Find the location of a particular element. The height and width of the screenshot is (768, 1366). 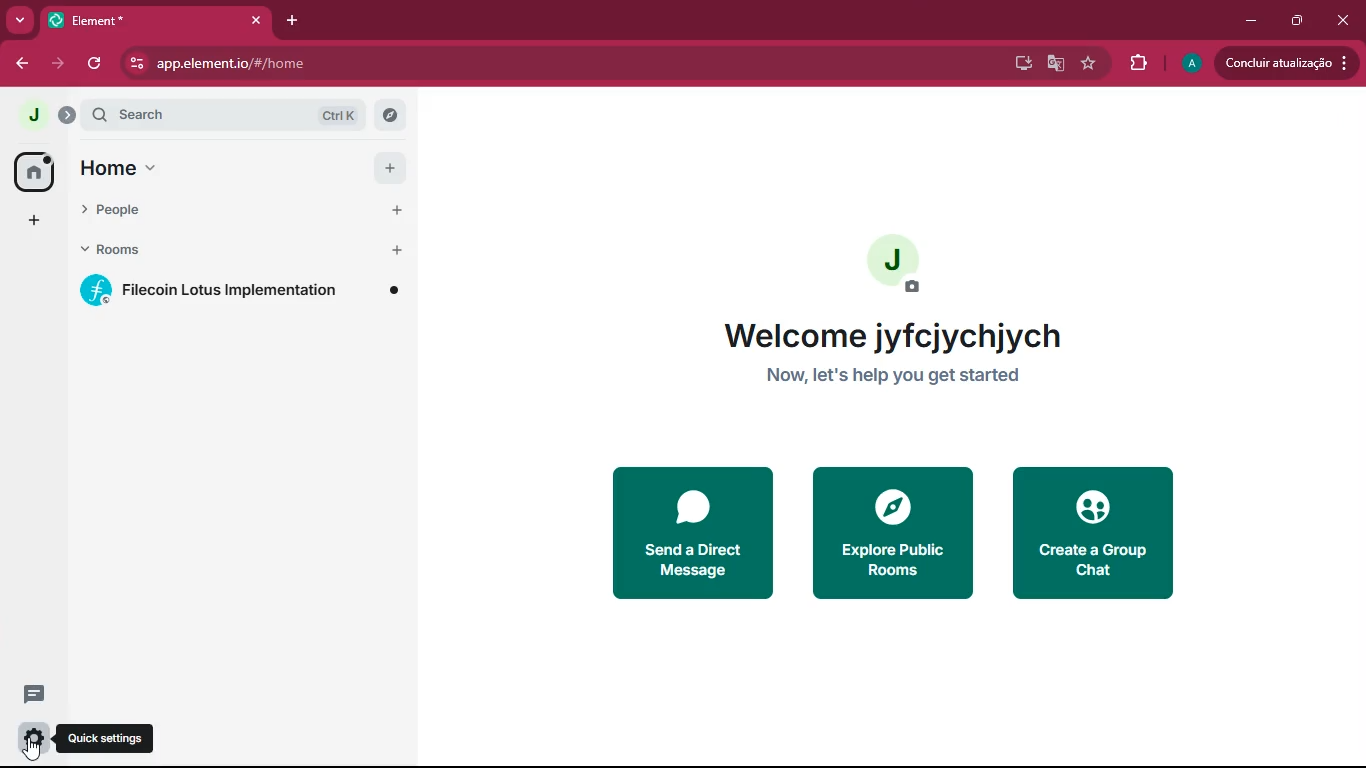

filecoin lotus implementation is located at coordinates (243, 290).